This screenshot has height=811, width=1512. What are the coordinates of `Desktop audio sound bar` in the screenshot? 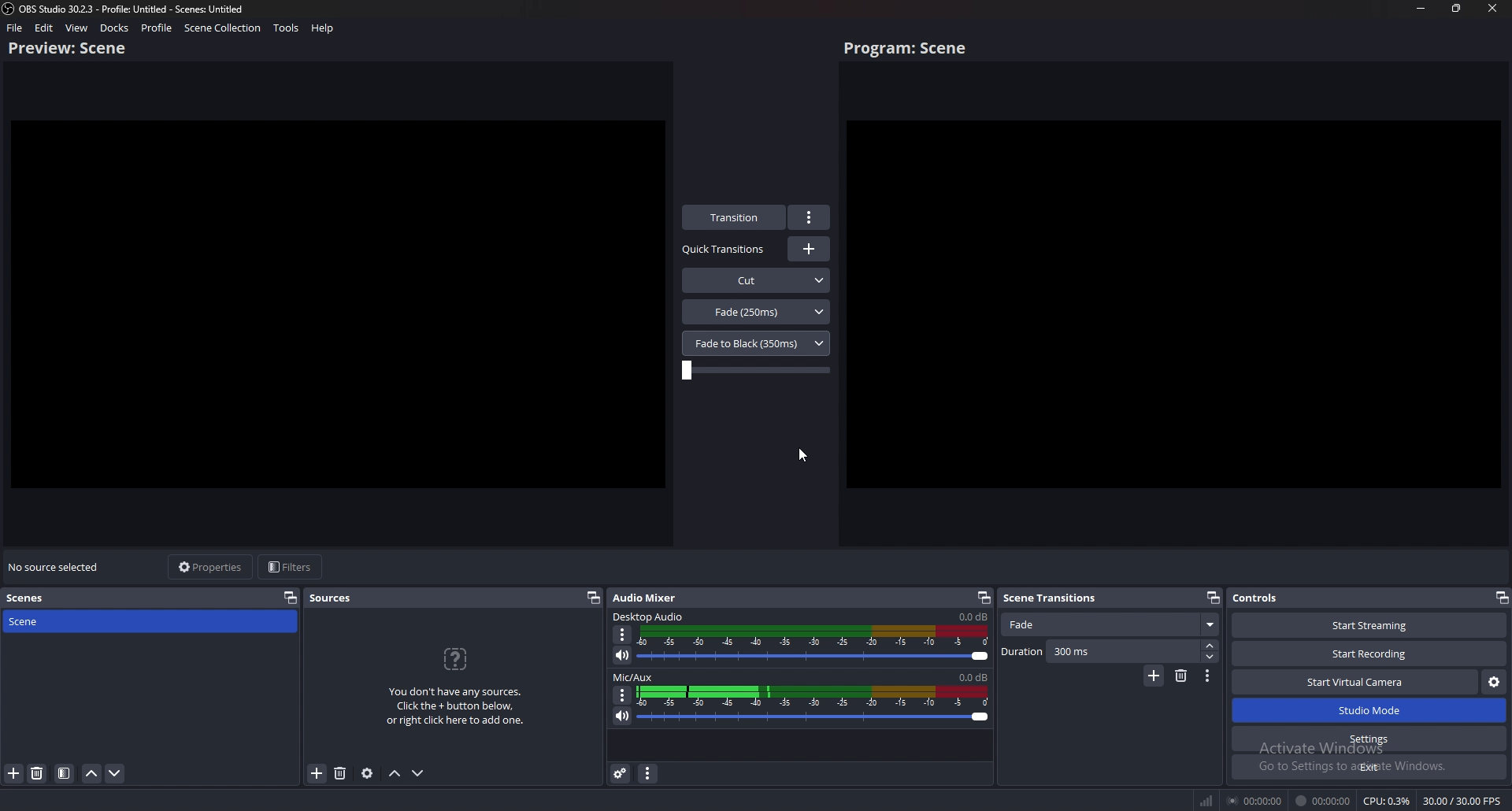 It's located at (817, 646).